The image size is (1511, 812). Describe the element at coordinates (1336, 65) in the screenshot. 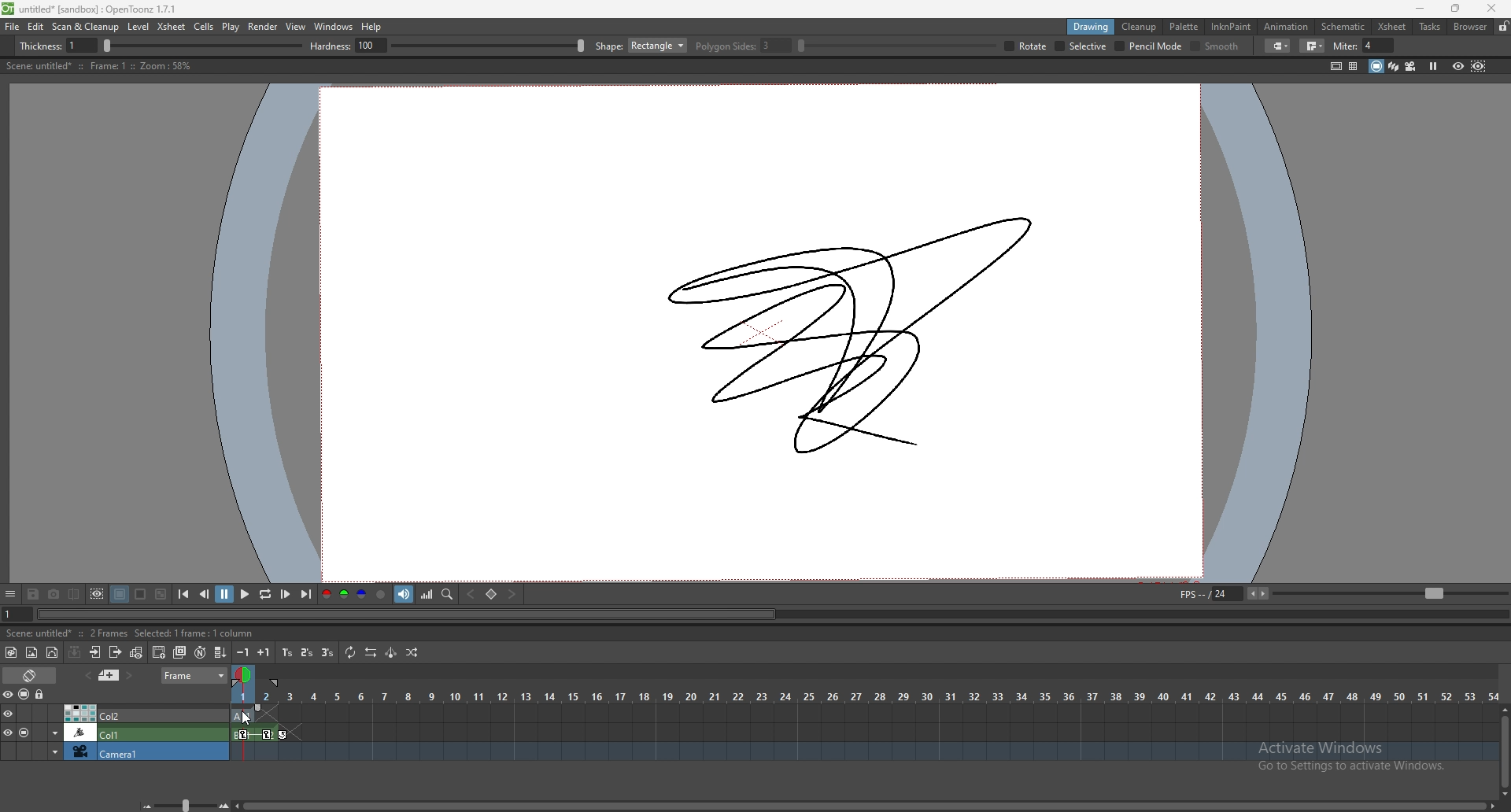

I see `safe area` at that location.